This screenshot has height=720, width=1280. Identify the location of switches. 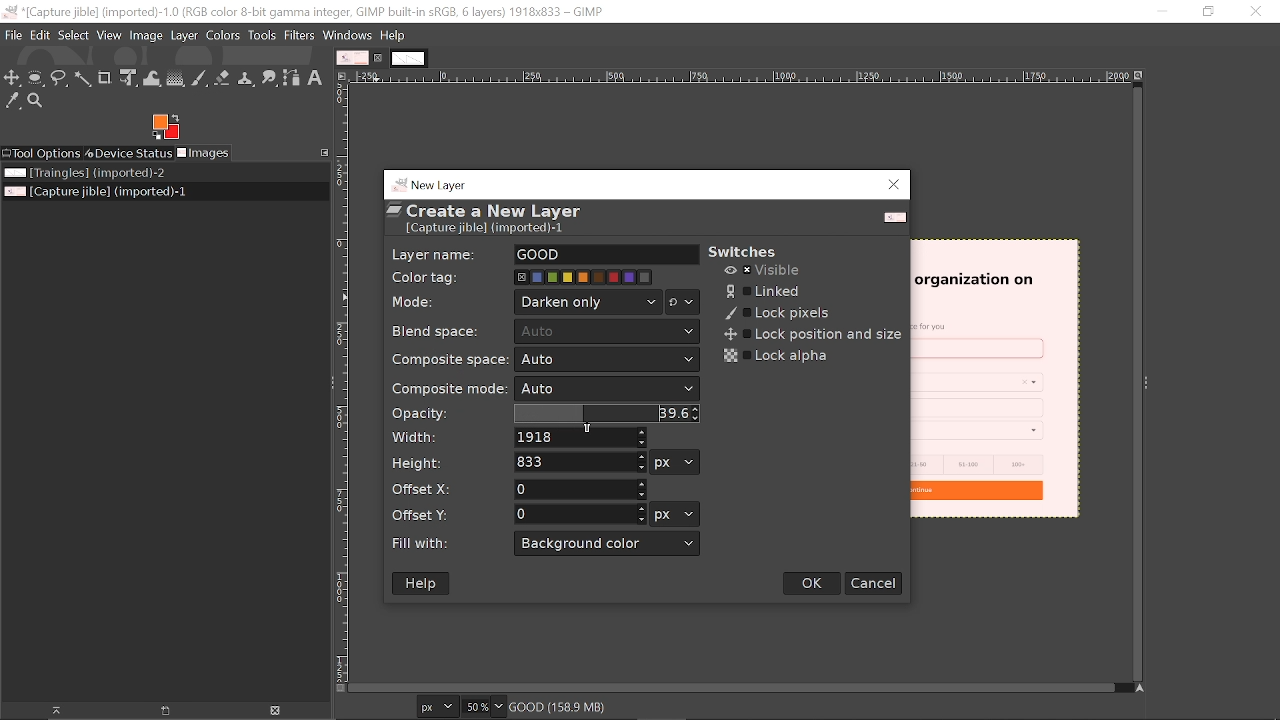
(752, 252).